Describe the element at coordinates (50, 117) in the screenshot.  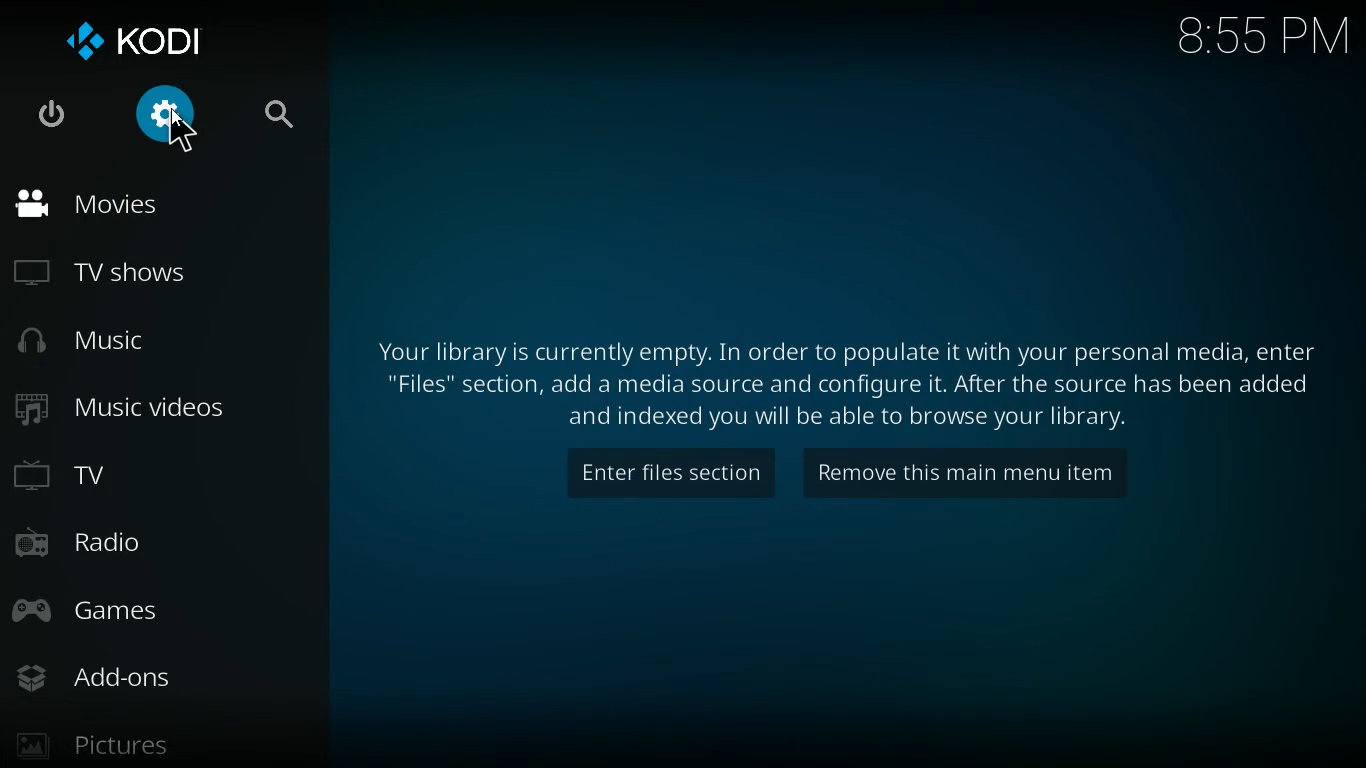
I see `power` at that location.